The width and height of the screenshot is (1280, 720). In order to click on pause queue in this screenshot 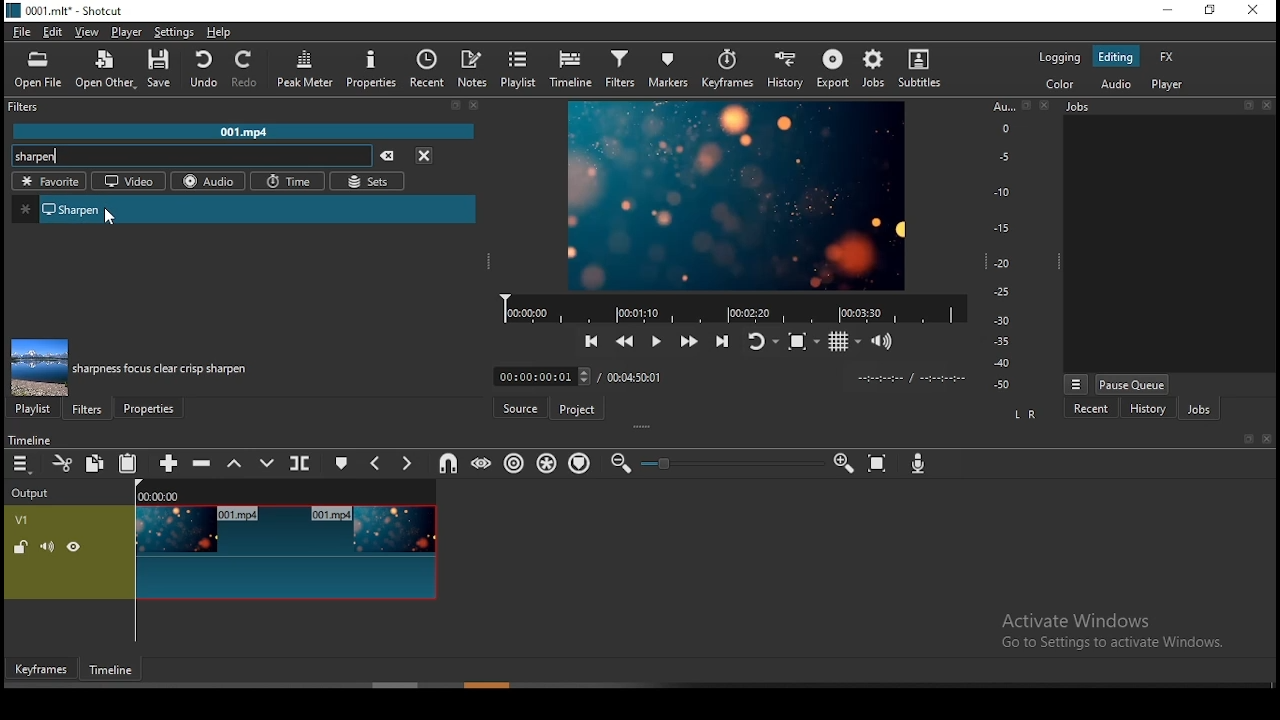, I will do `click(1131, 384)`.